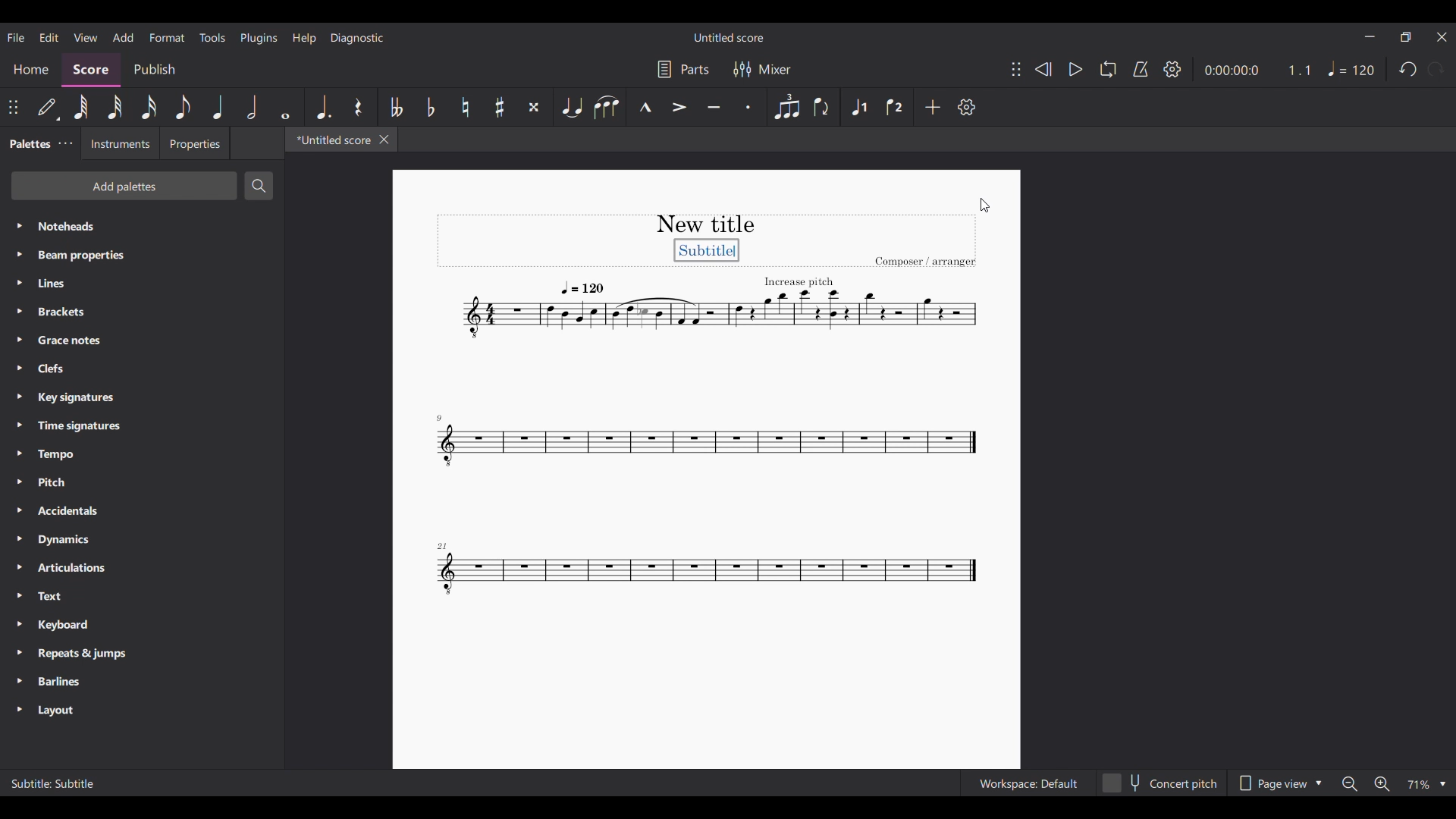 This screenshot has height=819, width=1456. I want to click on Voice 2, so click(896, 107).